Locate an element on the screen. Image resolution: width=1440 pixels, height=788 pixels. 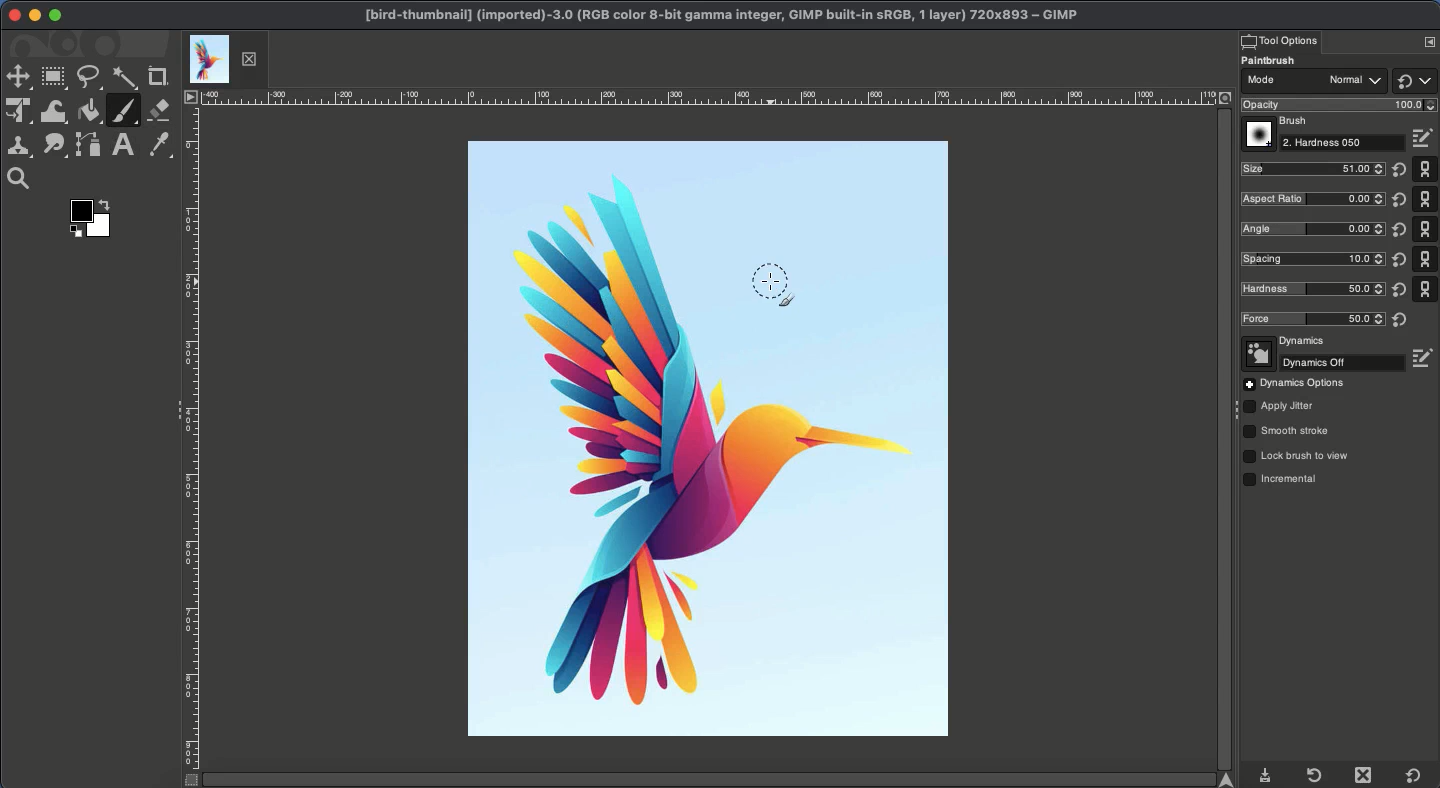
Opacity is located at coordinates (1336, 105).